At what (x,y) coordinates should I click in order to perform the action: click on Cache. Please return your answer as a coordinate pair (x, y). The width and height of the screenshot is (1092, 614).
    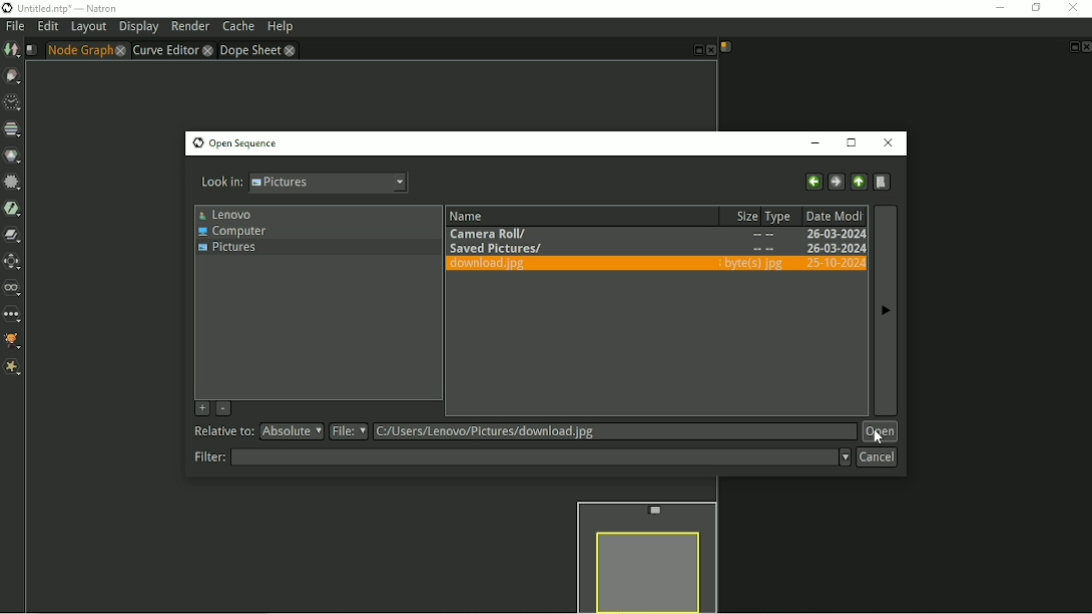
    Looking at the image, I should click on (238, 27).